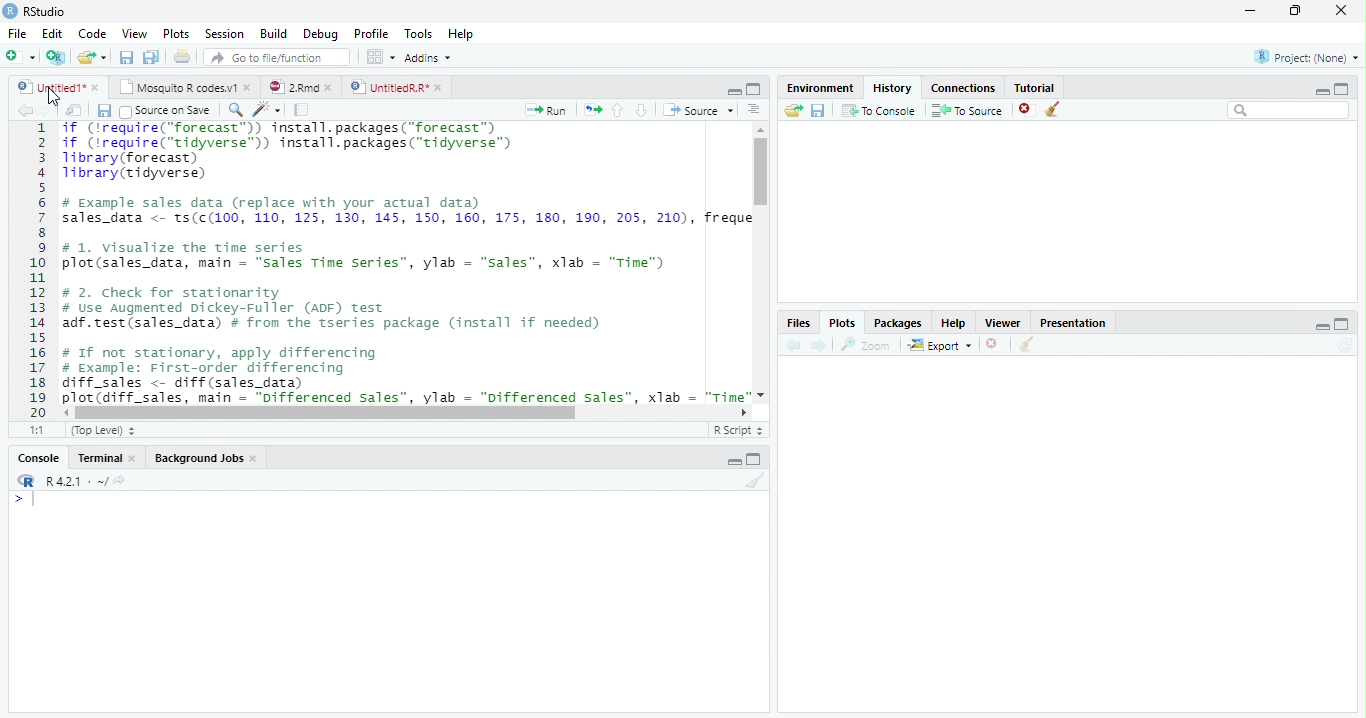 The width and height of the screenshot is (1366, 718). What do you see at coordinates (1073, 323) in the screenshot?
I see `Presentation` at bounding box center [1073, 323].